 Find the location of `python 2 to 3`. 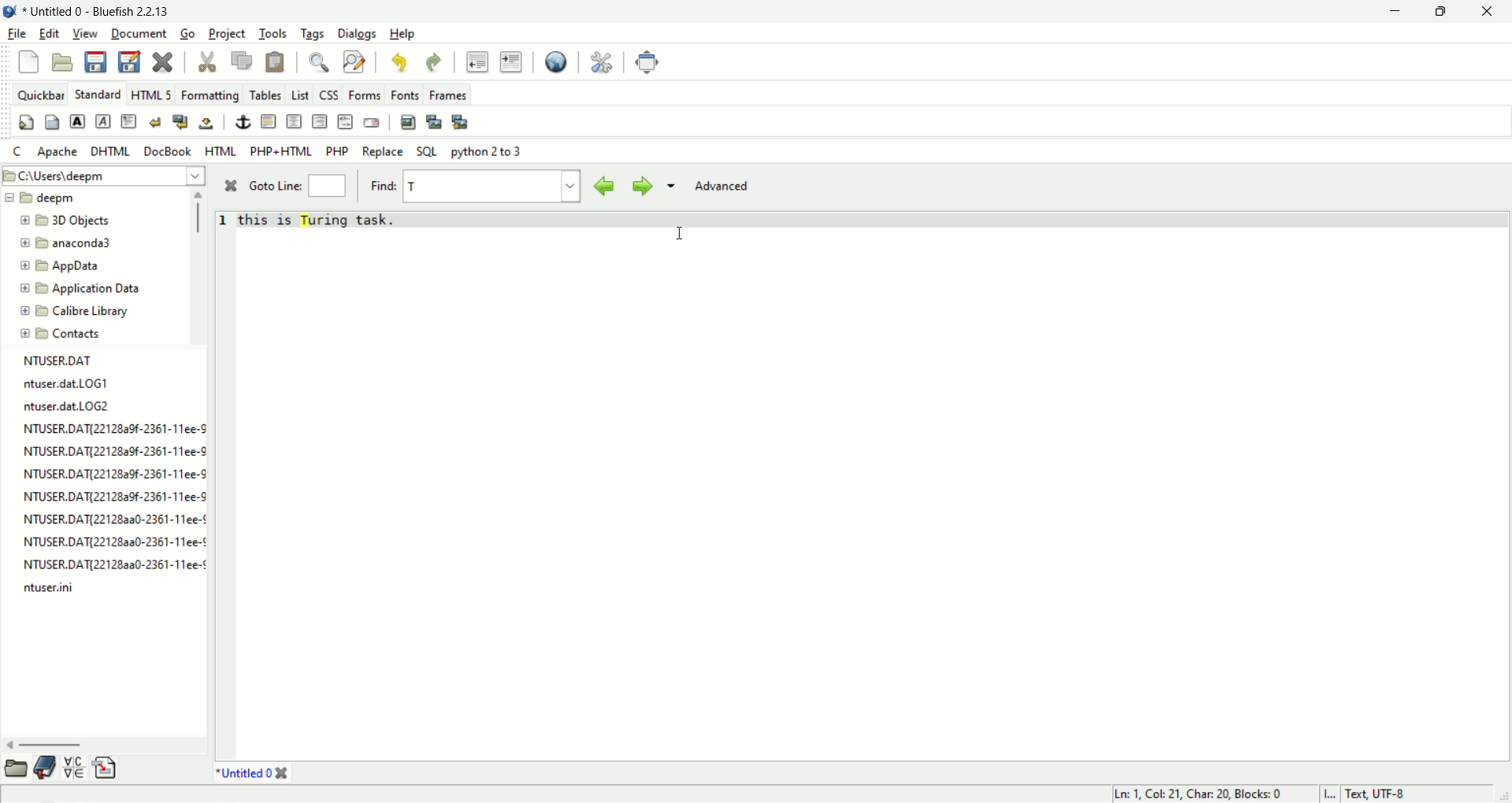

python 2 to 3 is located at coordinates (489, 152).